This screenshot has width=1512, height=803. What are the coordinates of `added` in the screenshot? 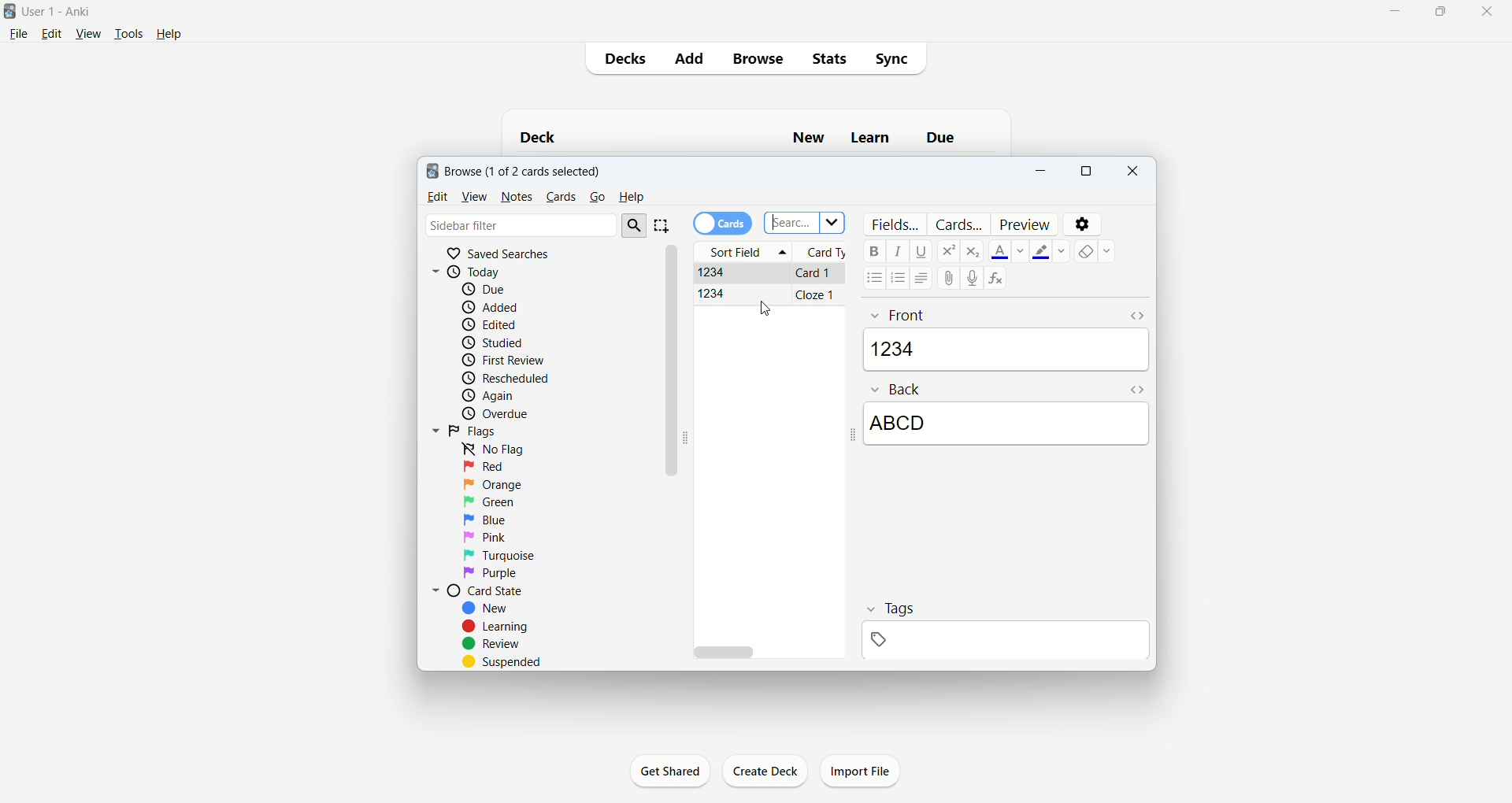 It's located at (491, 307).